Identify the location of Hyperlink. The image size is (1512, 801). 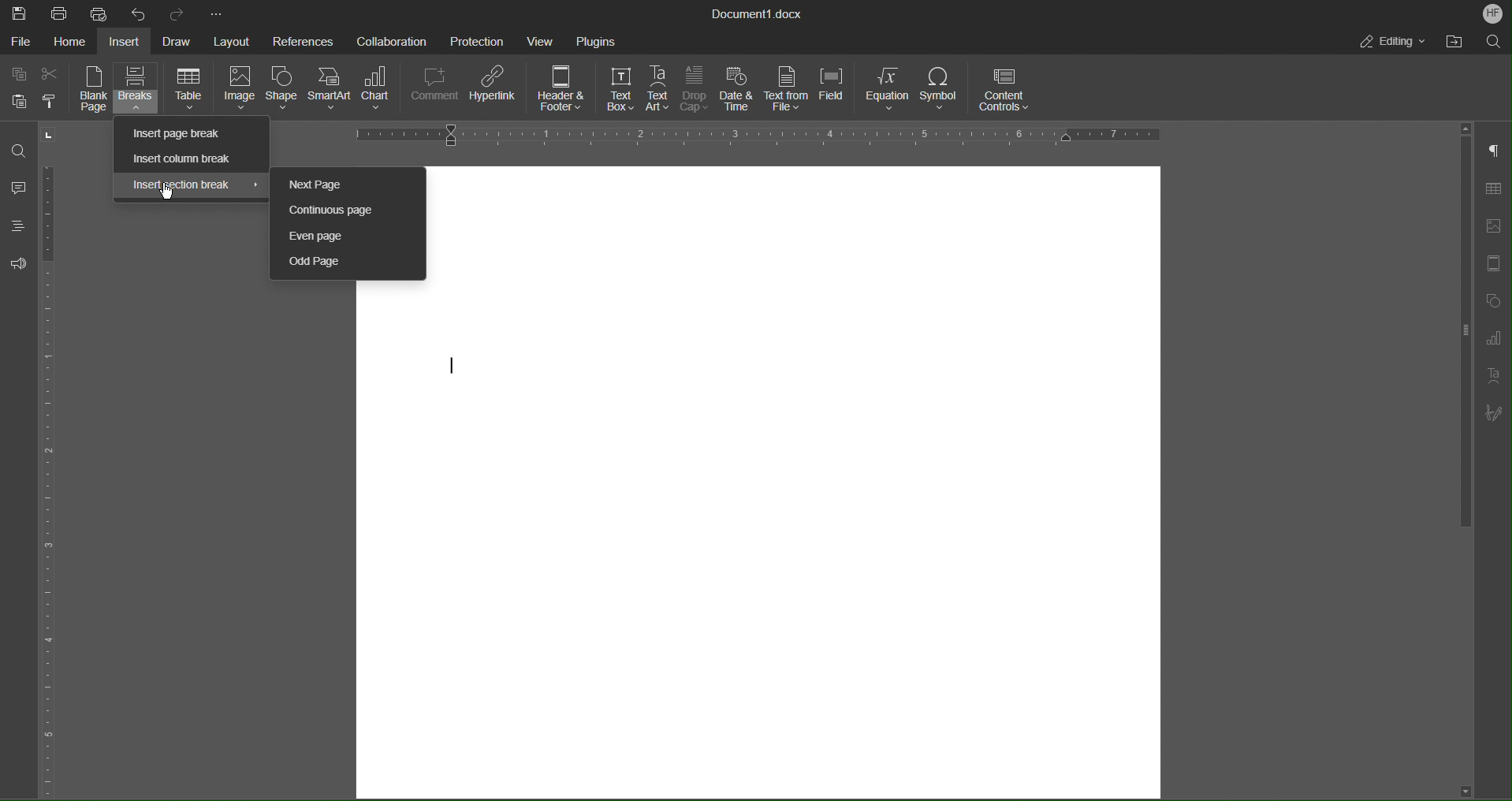
(497, 91).